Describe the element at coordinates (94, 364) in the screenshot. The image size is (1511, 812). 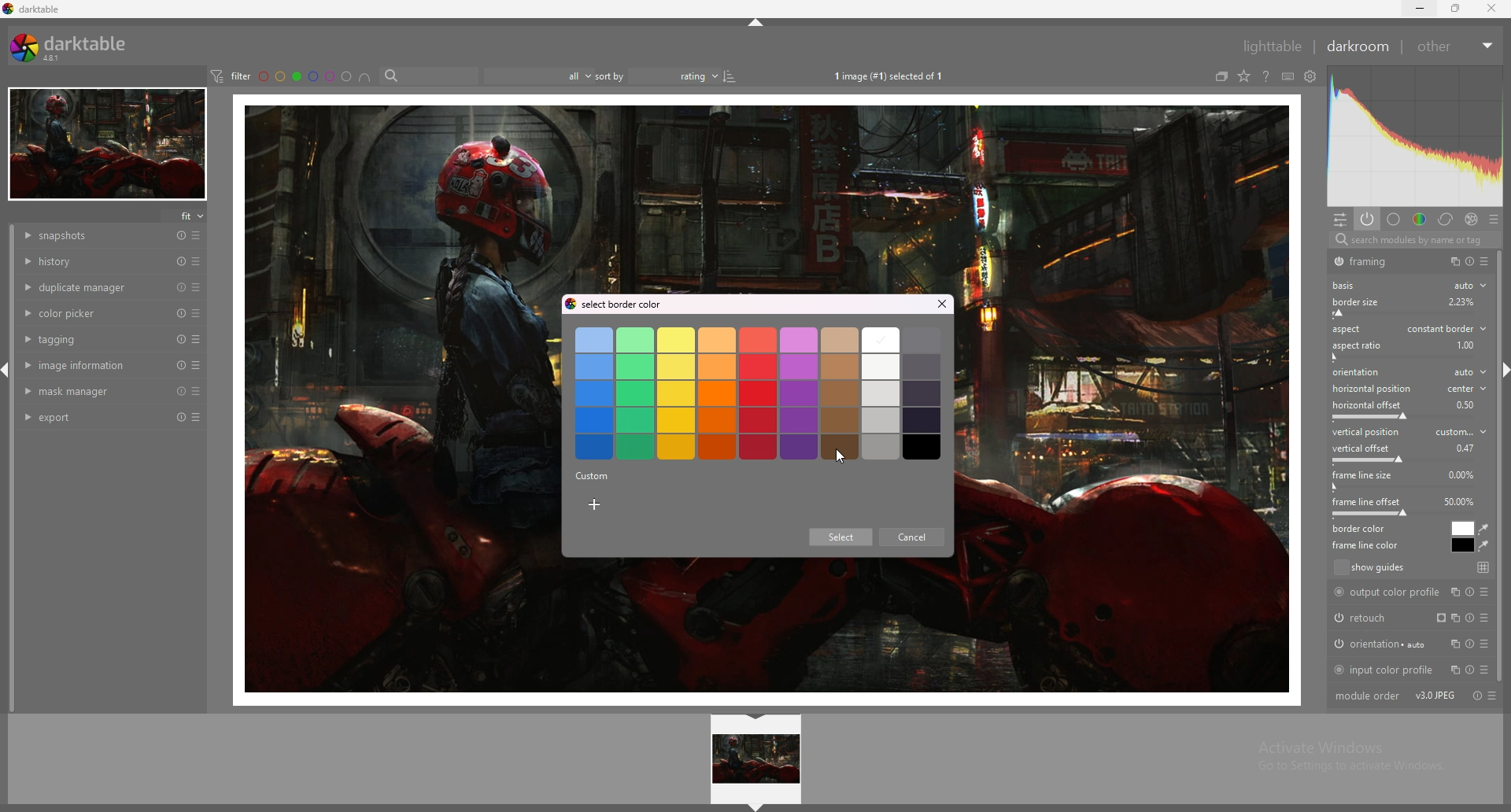
I see `image information` at that location.